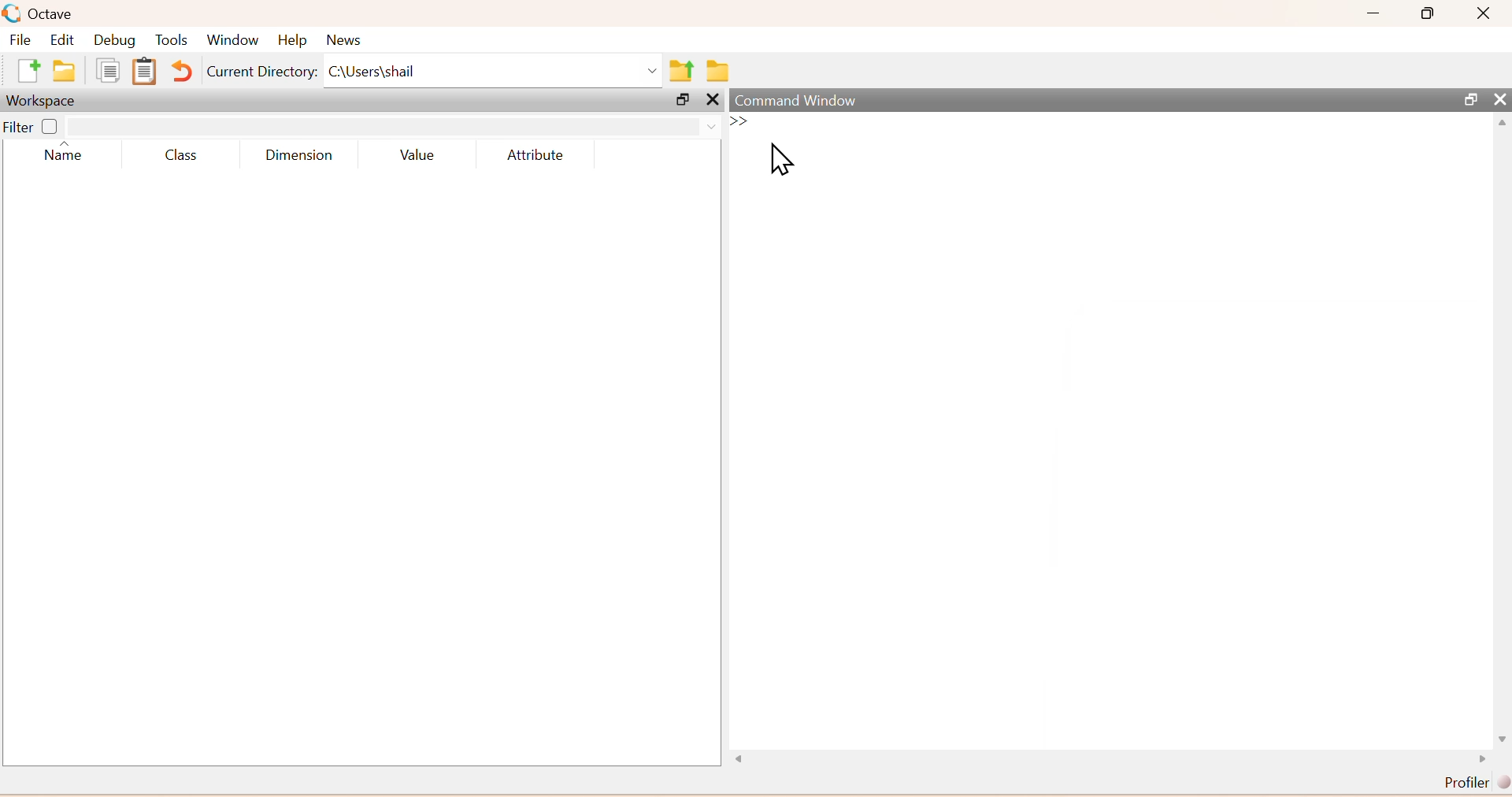  Describe the element at coordinates (65, 154) in the screenshot. I see `Name` at that location.